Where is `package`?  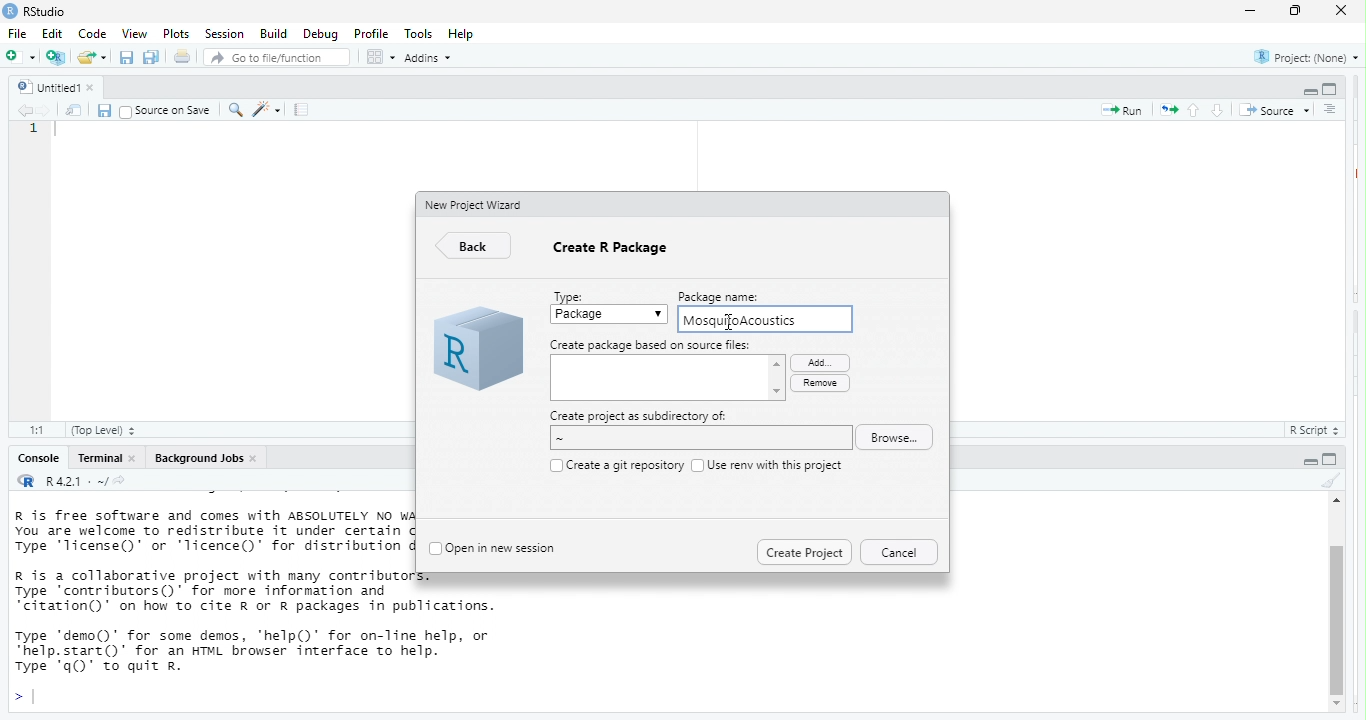 package is located at coordinates (610, 316).